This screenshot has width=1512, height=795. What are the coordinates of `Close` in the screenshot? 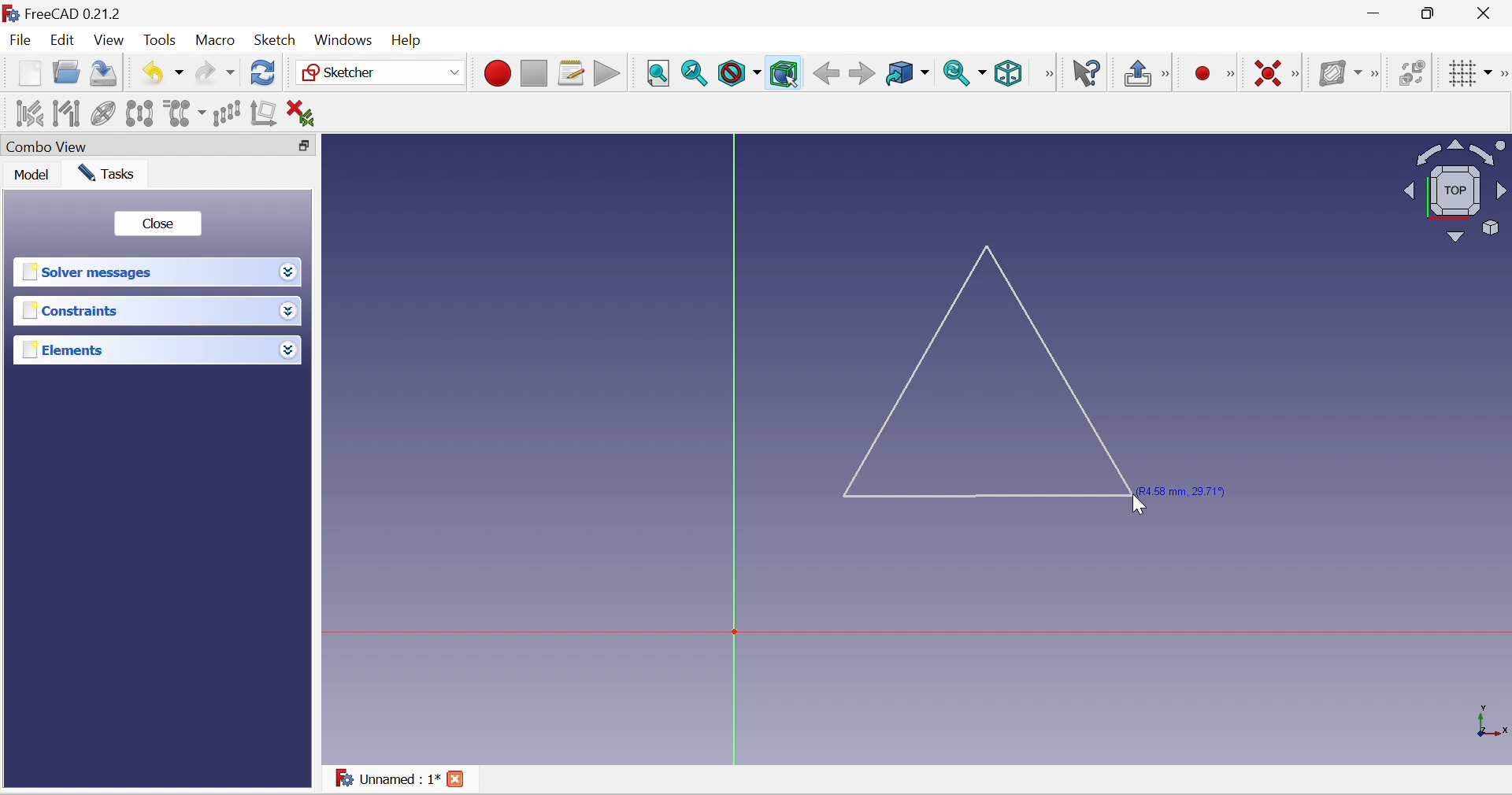 It's located at (454, 778).